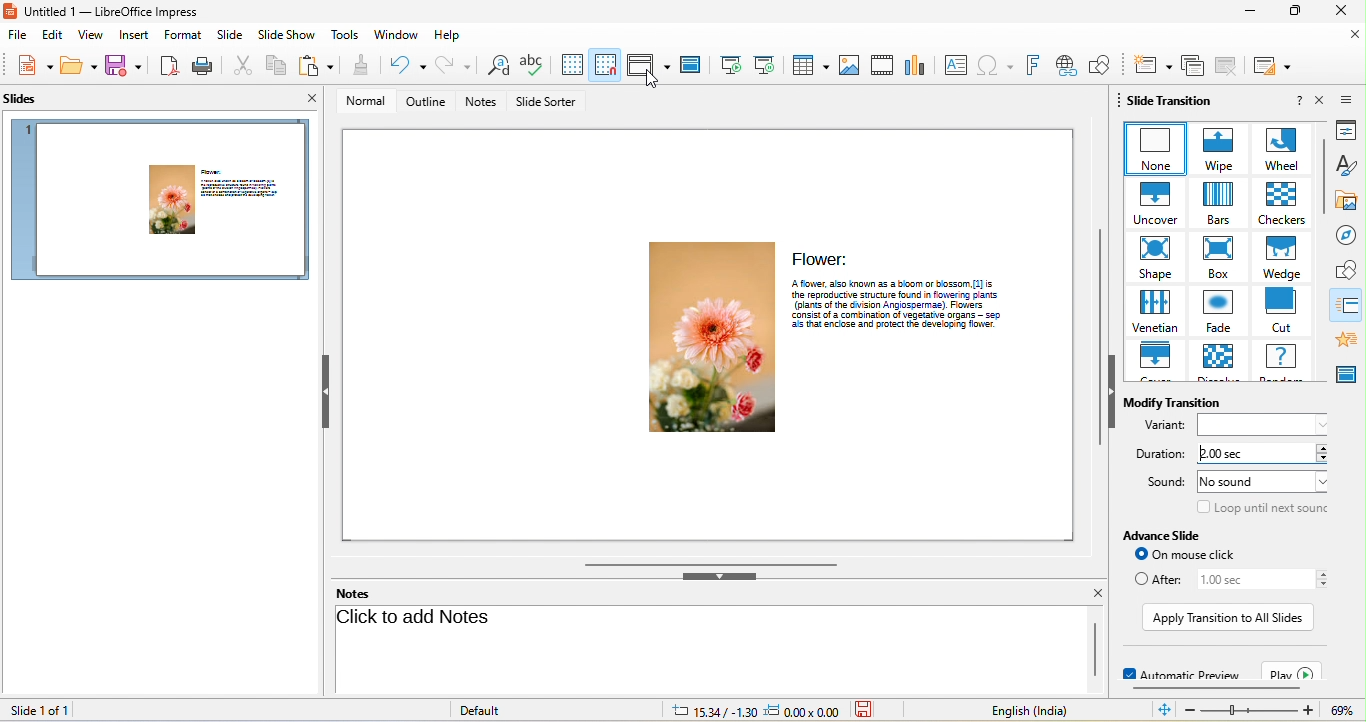 The width and height of the screenshot is (1366, 722). Describe the element at coordinates (1325, 585) in the screenshot. I see `decrease` at that location.